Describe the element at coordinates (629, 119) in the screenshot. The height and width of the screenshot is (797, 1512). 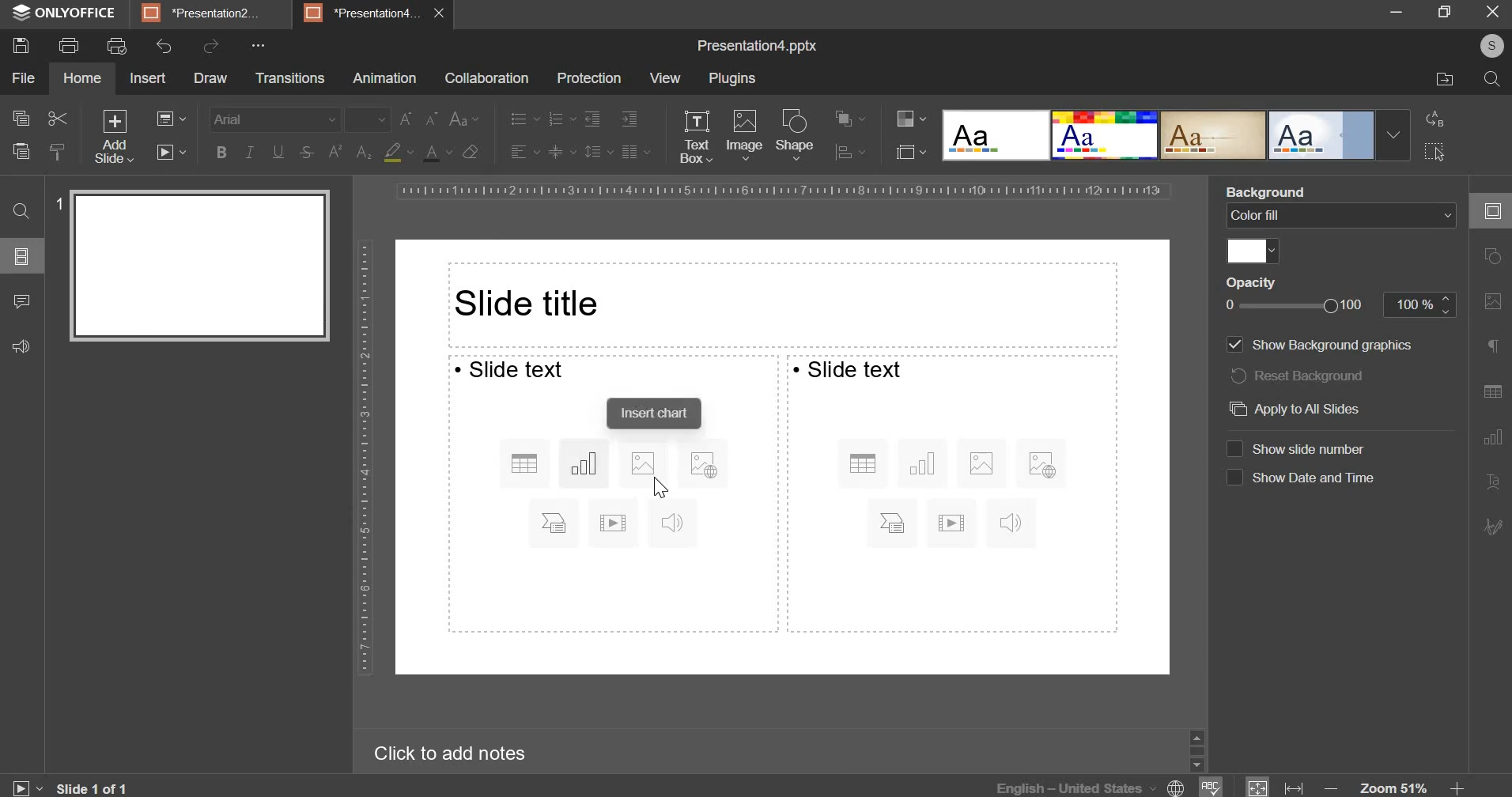
I see `increase indent` at that location.